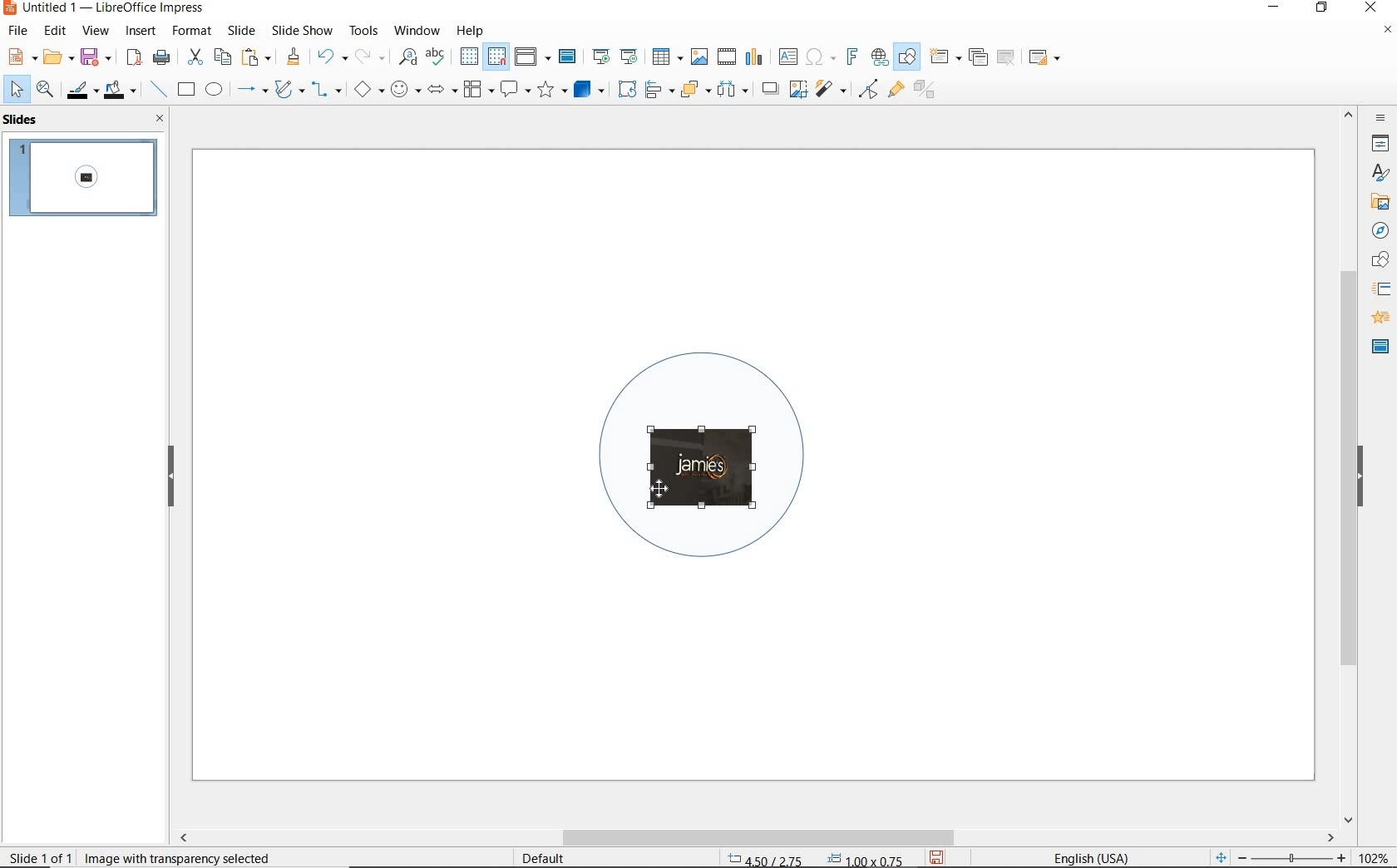  What do you see at coordinates (662, 485) in the screenshot?
I see `Cursor` at bounding box center [662, 485].